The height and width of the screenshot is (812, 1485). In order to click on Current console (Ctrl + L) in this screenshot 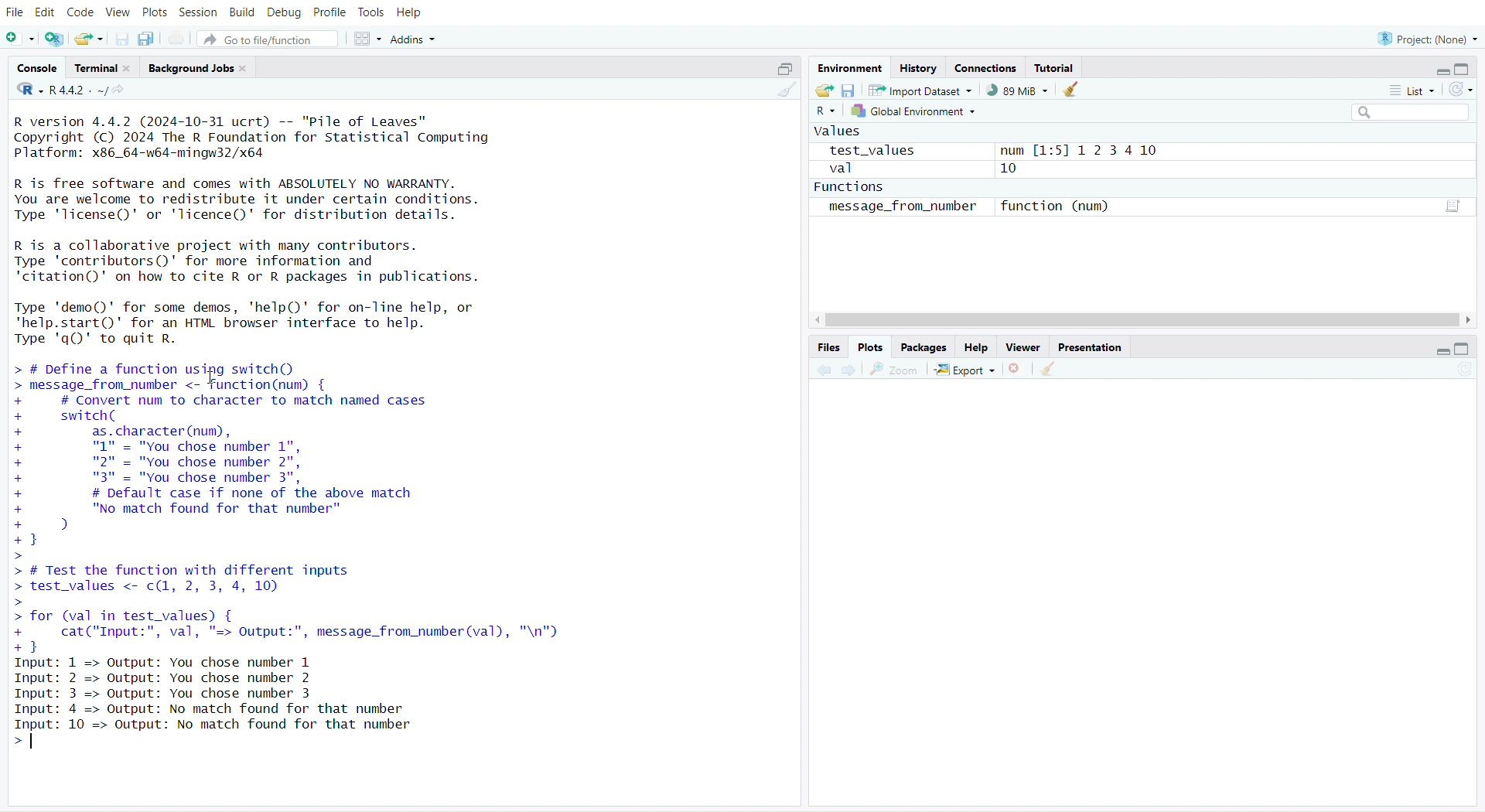, I will do `click(1074, 92)`.